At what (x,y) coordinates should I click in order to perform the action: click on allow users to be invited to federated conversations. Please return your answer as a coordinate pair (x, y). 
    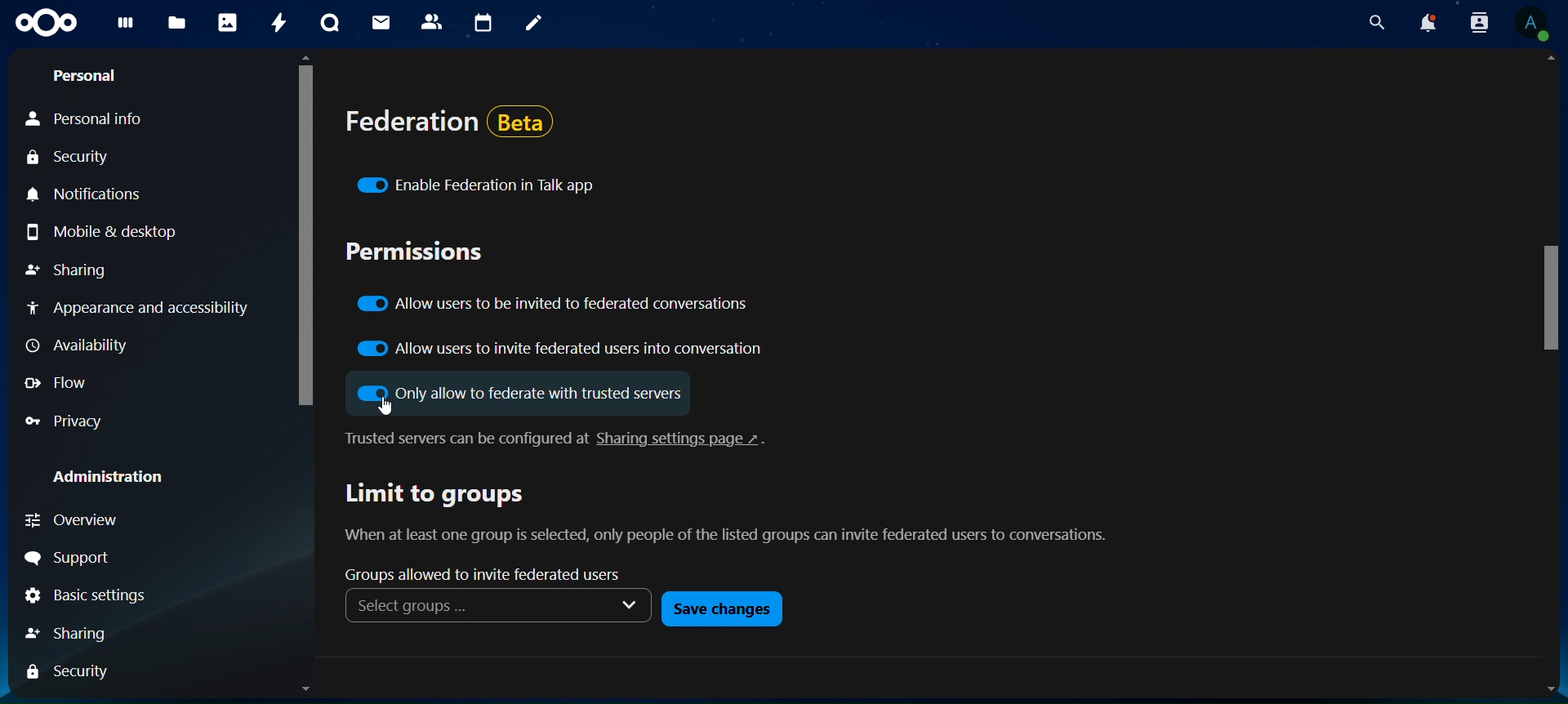
    Looking at the image, I should click on (558, 305).